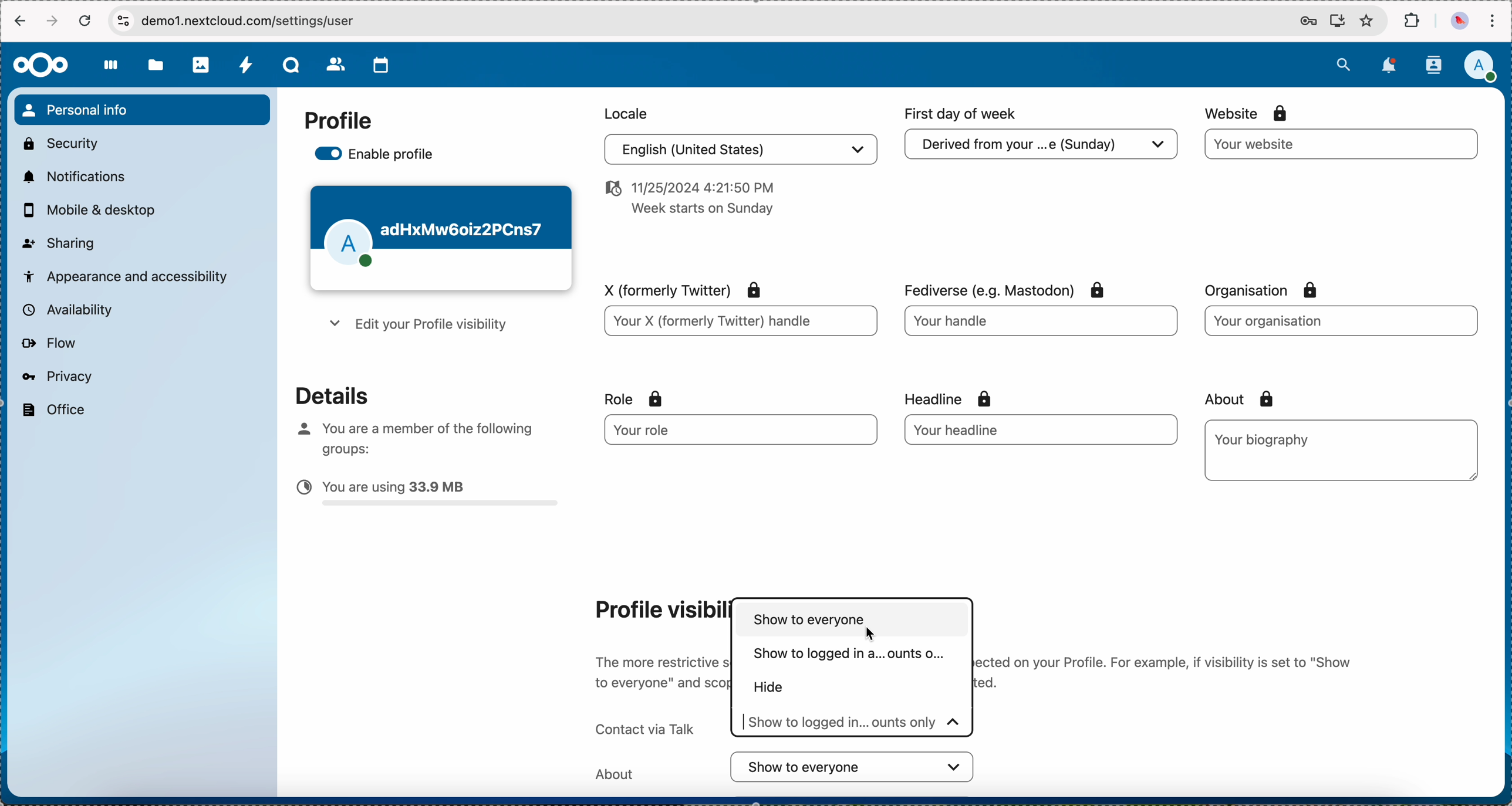 Image resolution: width=1512 pixels, height=806 pixels. I want to click on navigate foward, so click(54, 21).